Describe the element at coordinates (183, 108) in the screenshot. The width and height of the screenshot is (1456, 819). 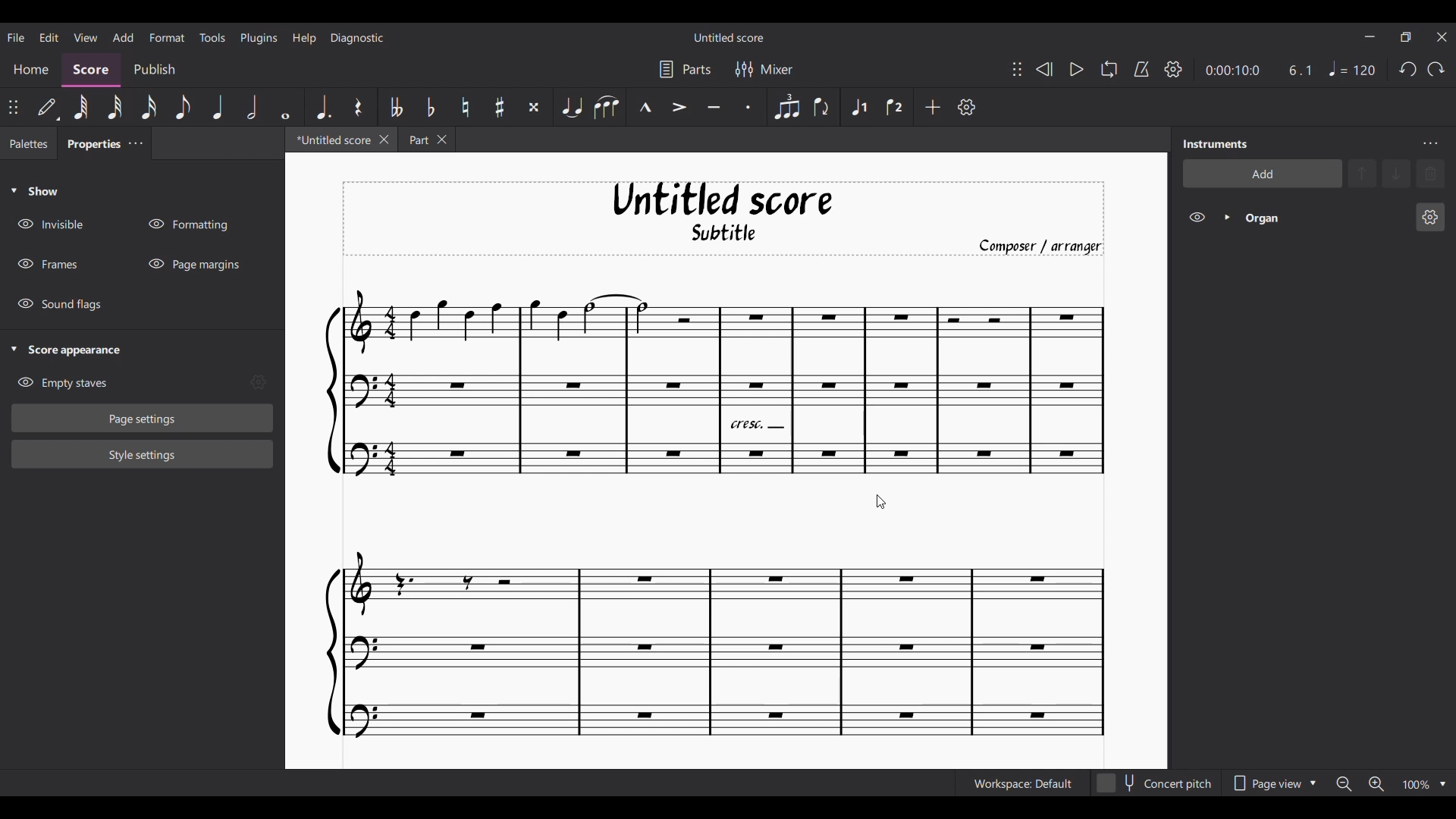
I see `8th note` at that location.